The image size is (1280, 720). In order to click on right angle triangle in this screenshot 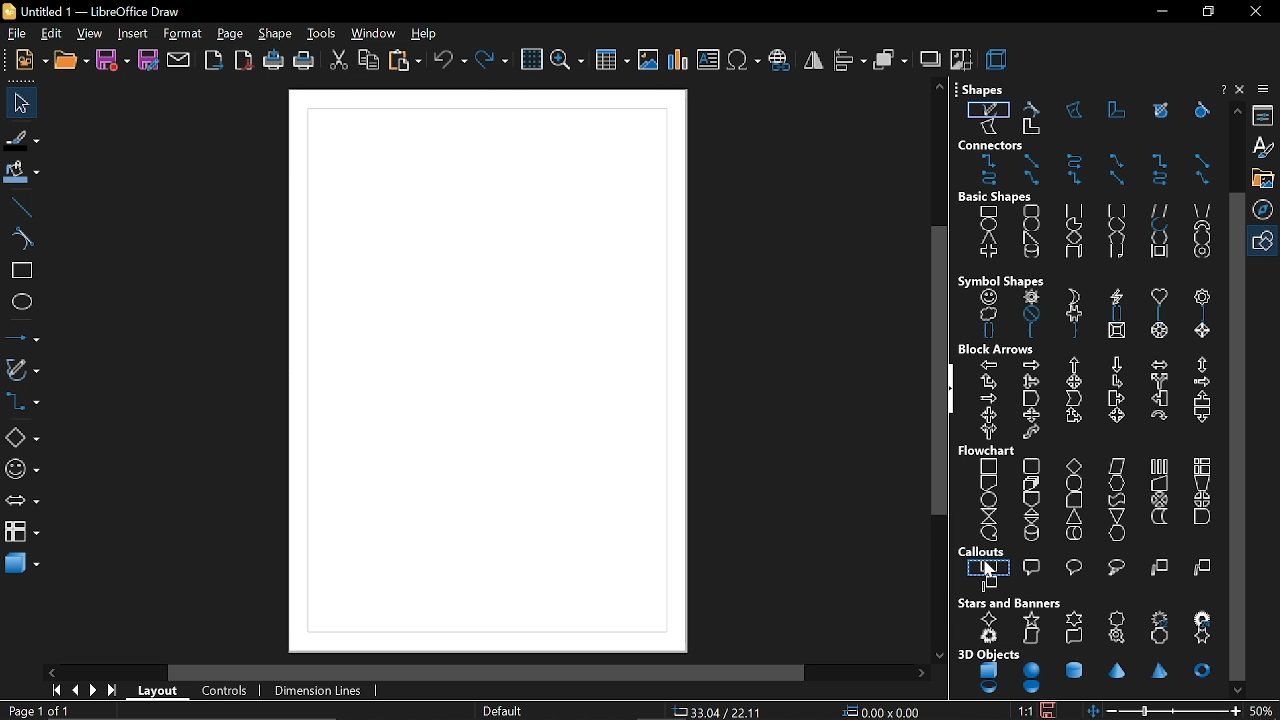, I will do `click(1029, 238)`.